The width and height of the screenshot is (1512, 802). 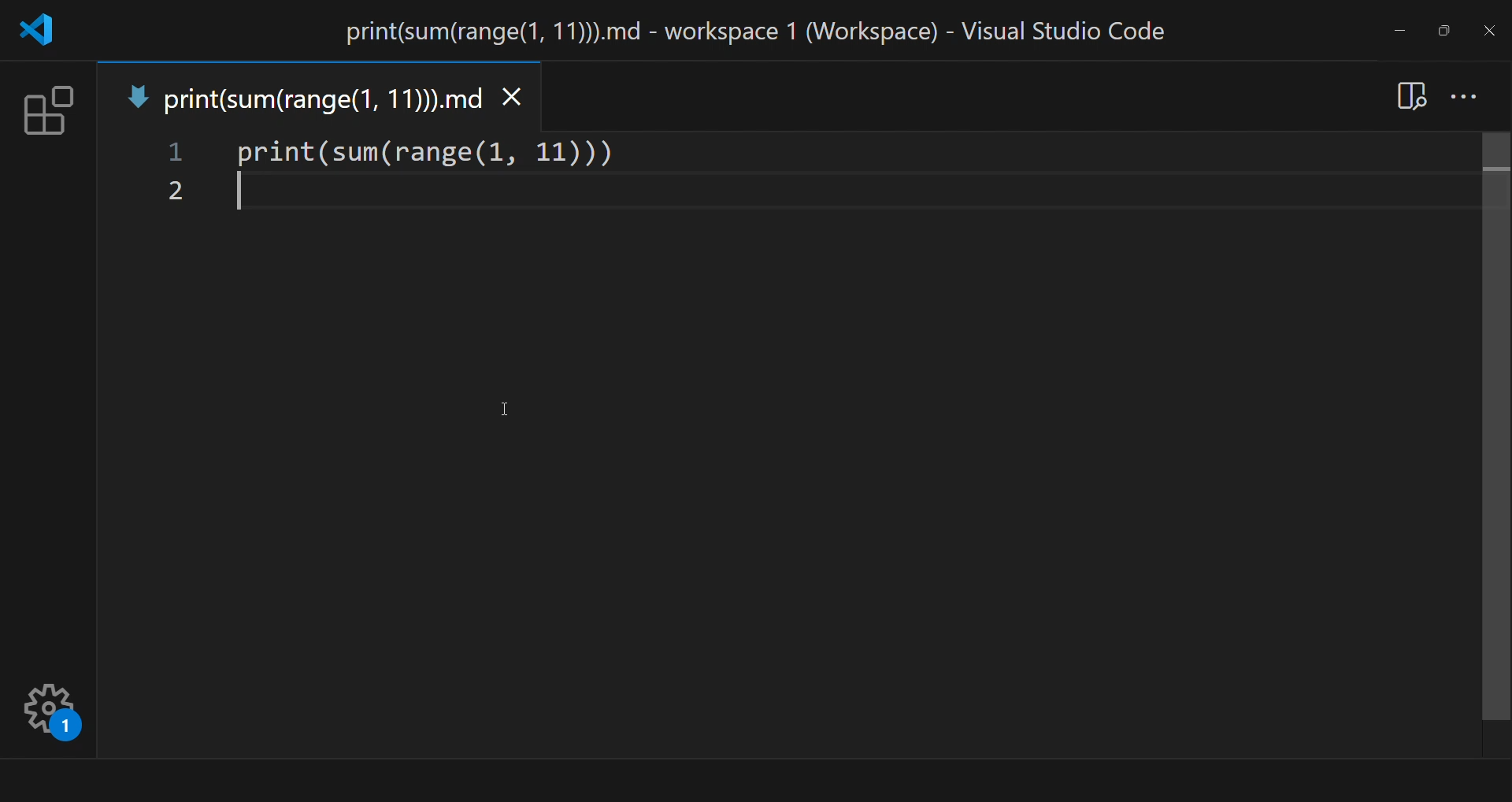 What do you see at coordinates (1397, 35) in the screenshot?
I see `minimize` at bounding box center [1397, 35].